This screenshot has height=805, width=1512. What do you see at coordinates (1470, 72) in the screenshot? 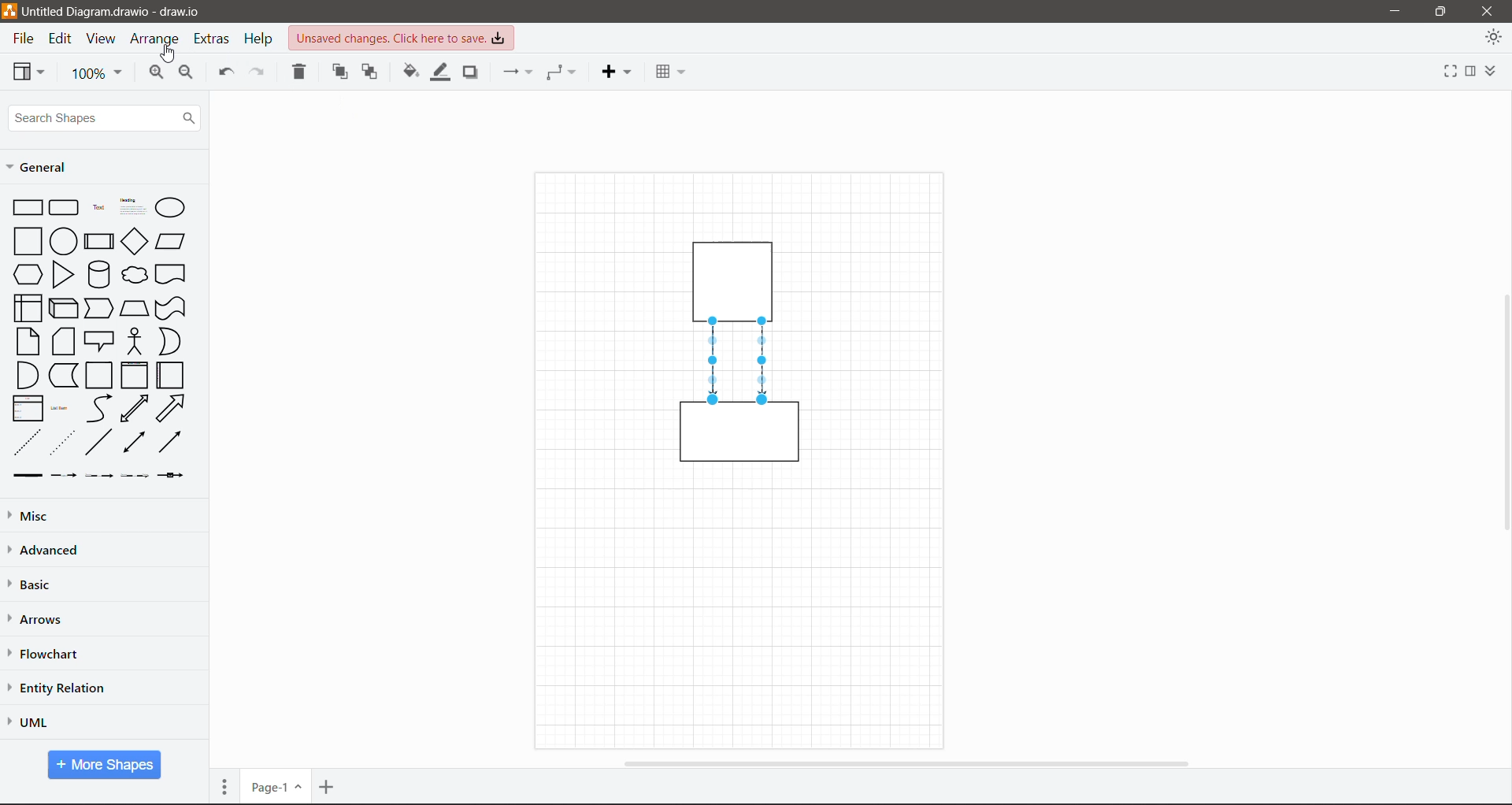
I see `Format` at bounding box center [1470, 72].